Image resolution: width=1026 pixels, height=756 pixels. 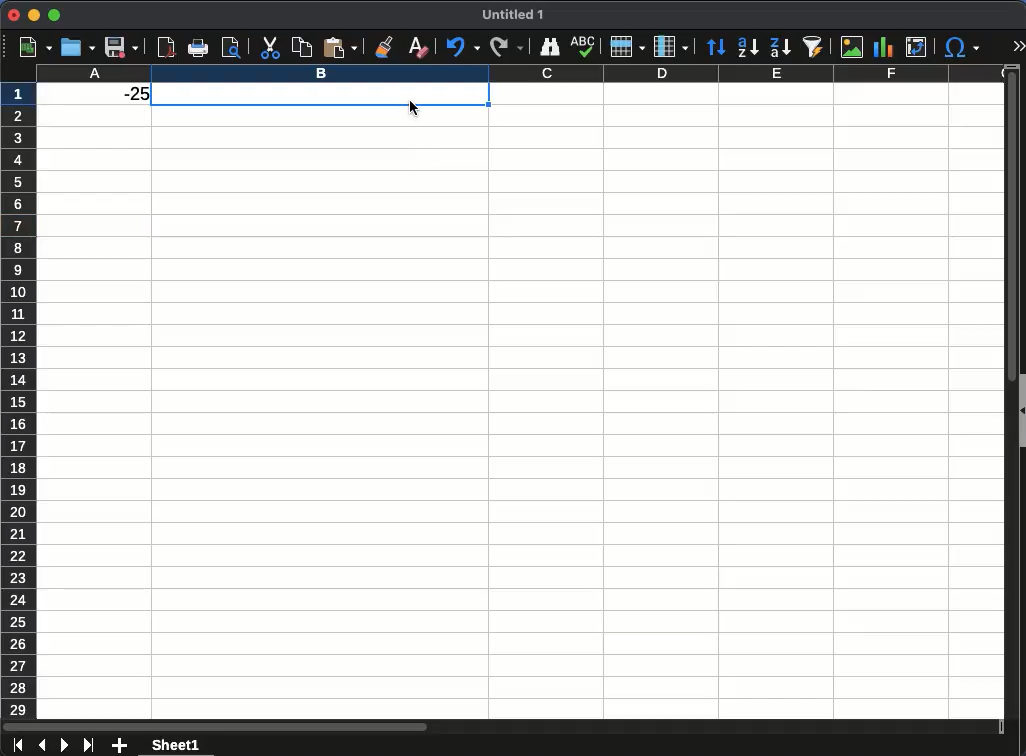 I want to click on column, so click(x=671, y=45).